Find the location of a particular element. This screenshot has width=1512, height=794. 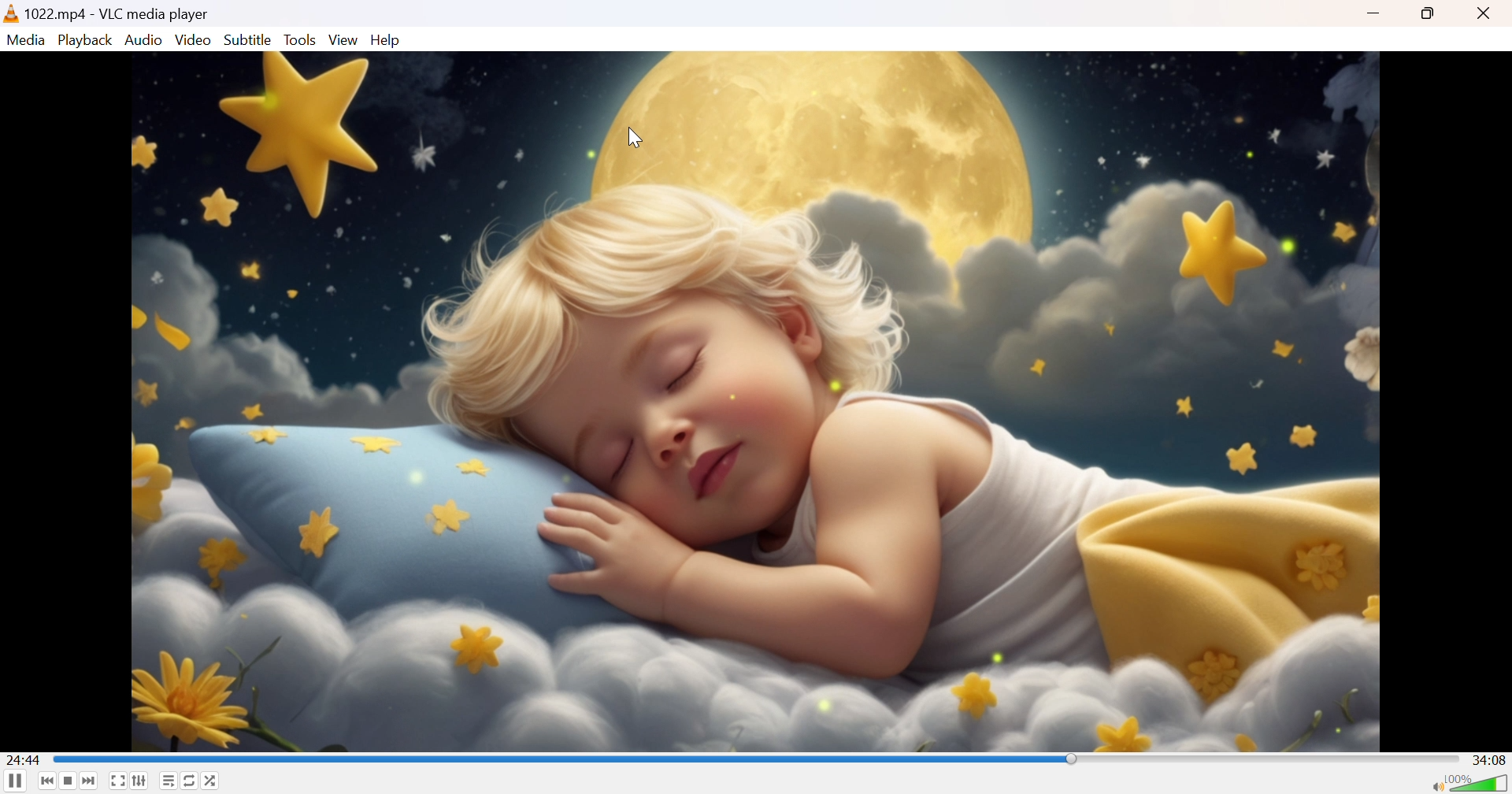

Help is located at coordinates (387, 41).